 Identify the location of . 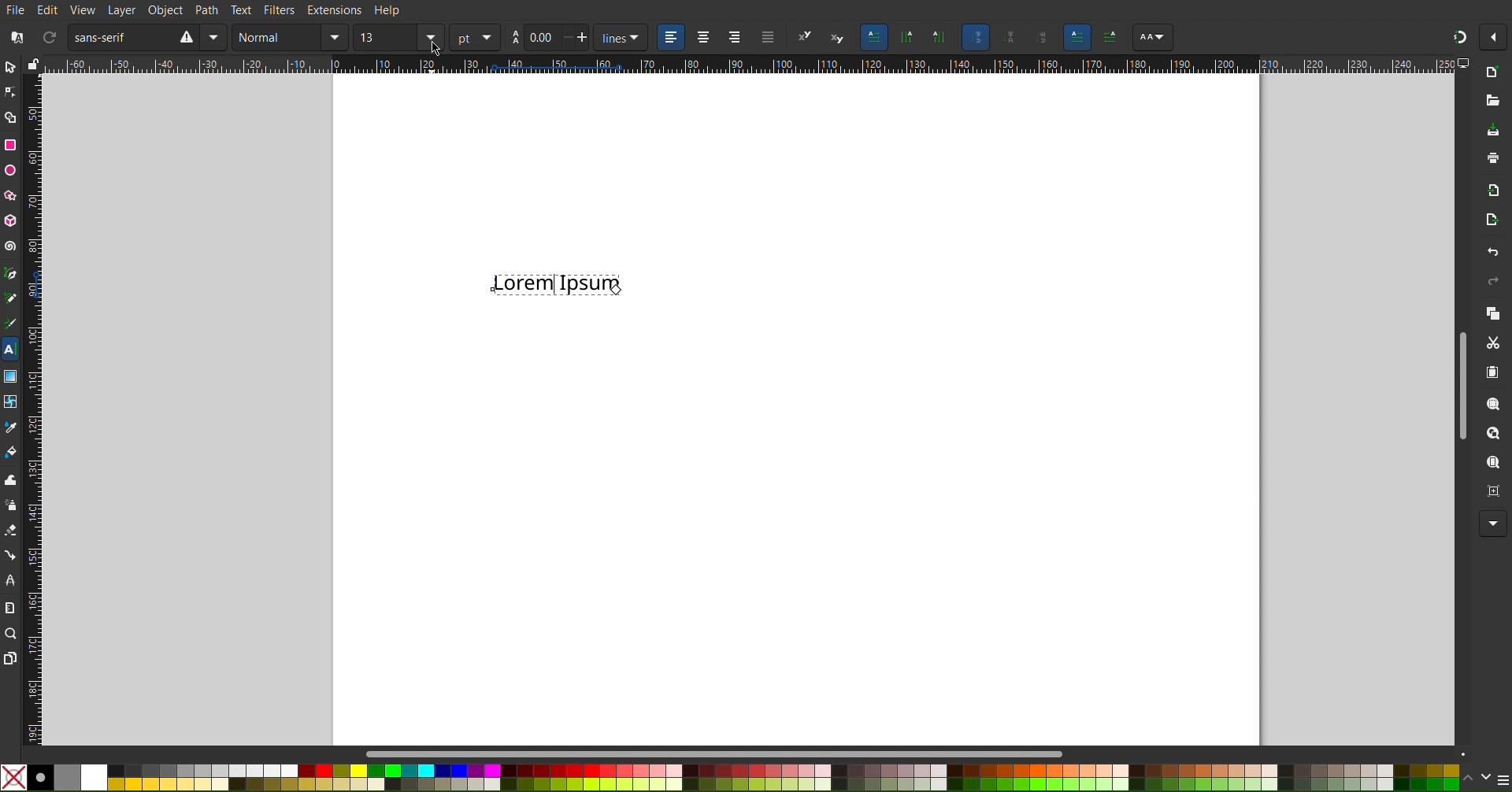
(1039, 39).